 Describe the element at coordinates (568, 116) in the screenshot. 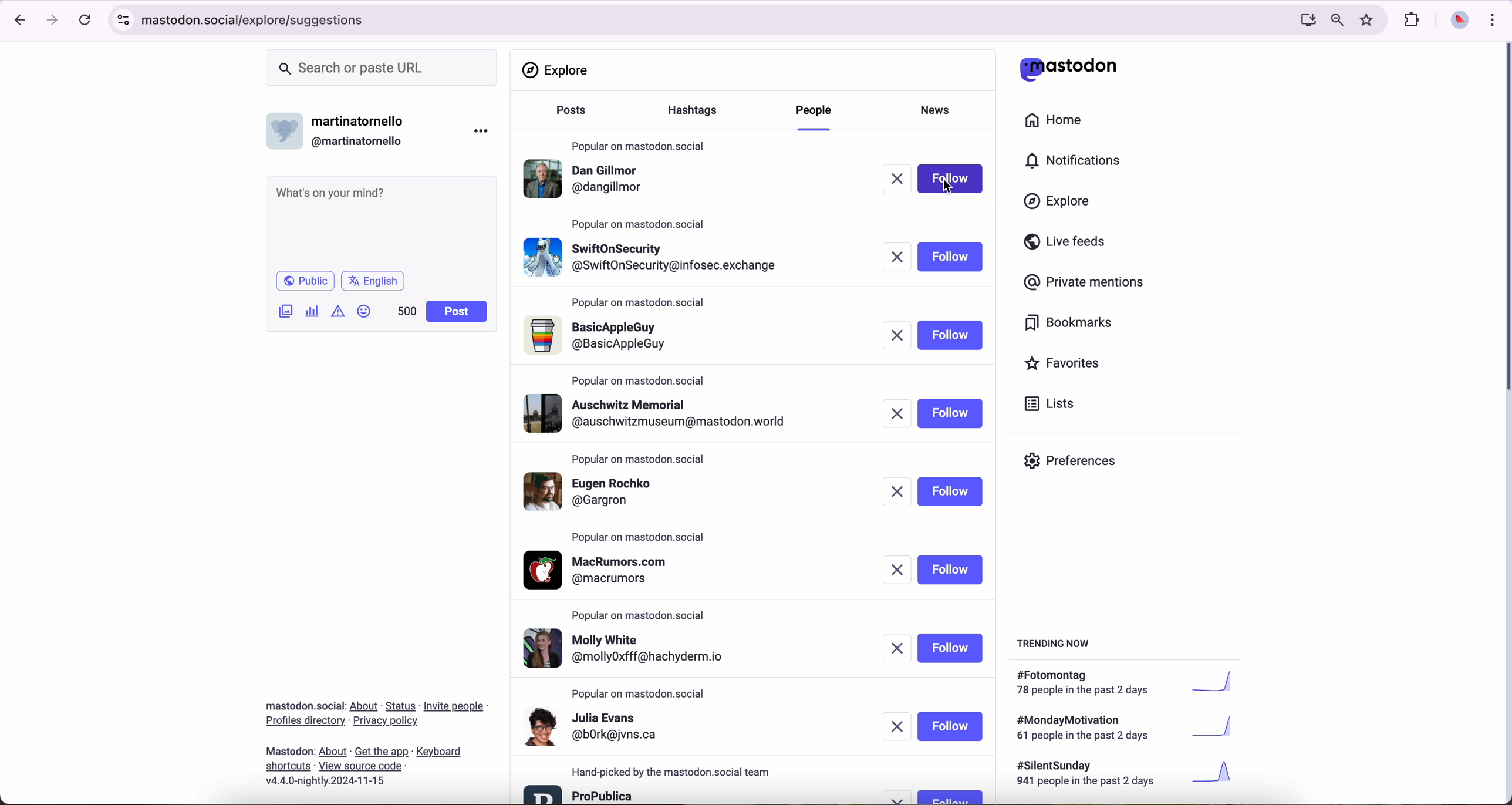

I see `posts` at that location.